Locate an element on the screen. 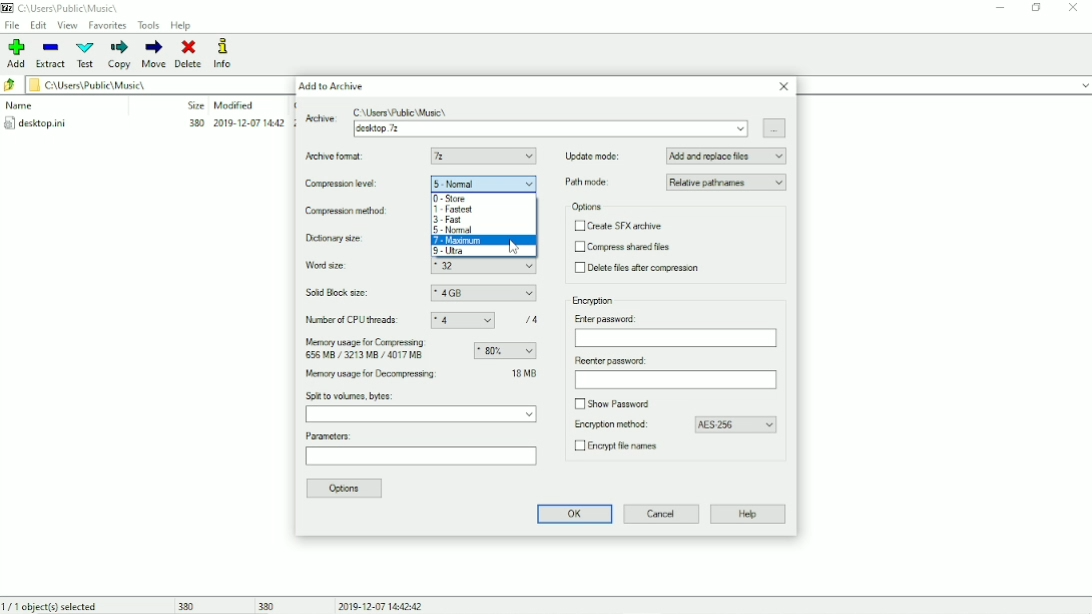  Options is located at coordinates (347, 489).